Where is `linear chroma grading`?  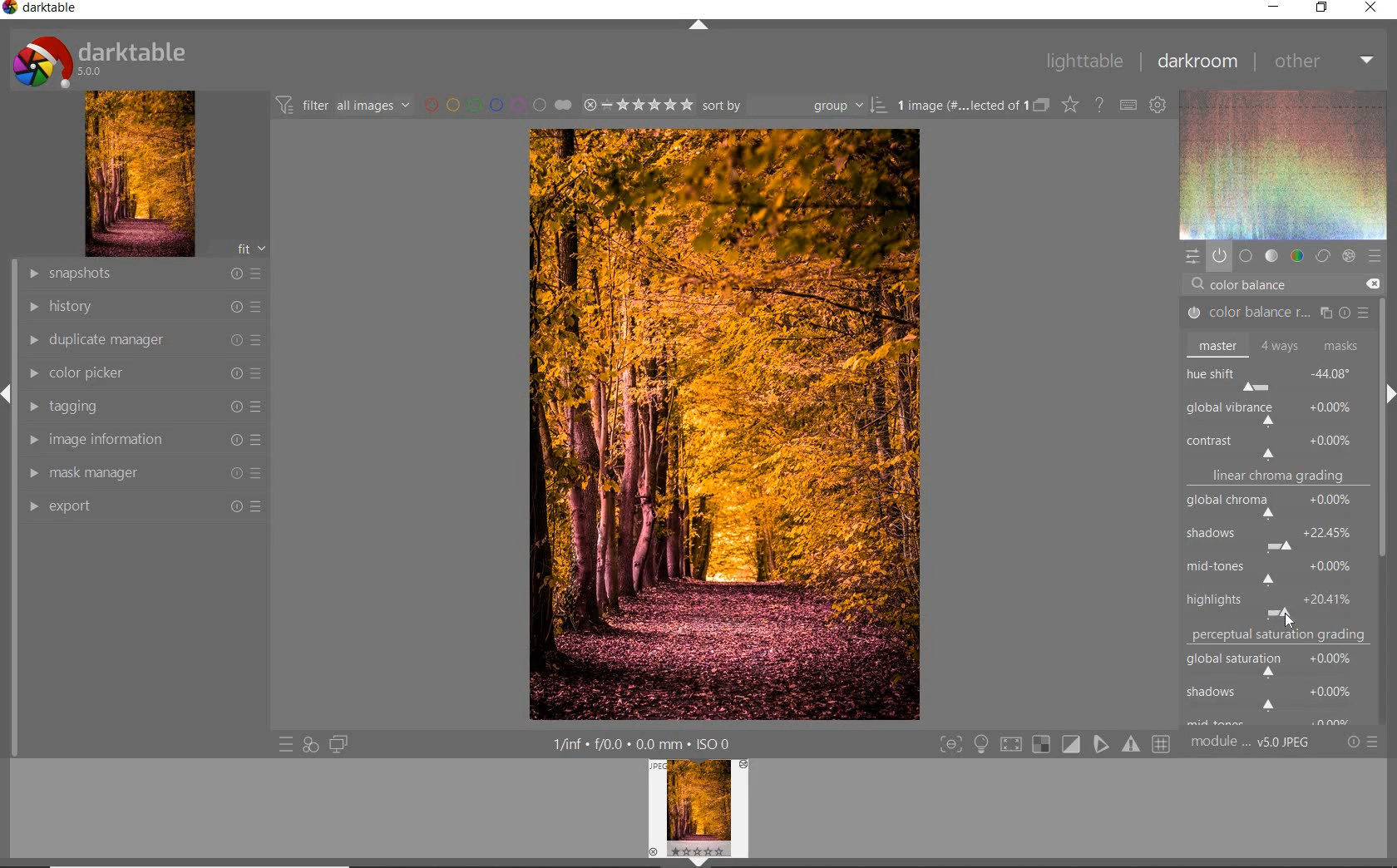 linear chroma grading is located at coordinates (1277, 479).